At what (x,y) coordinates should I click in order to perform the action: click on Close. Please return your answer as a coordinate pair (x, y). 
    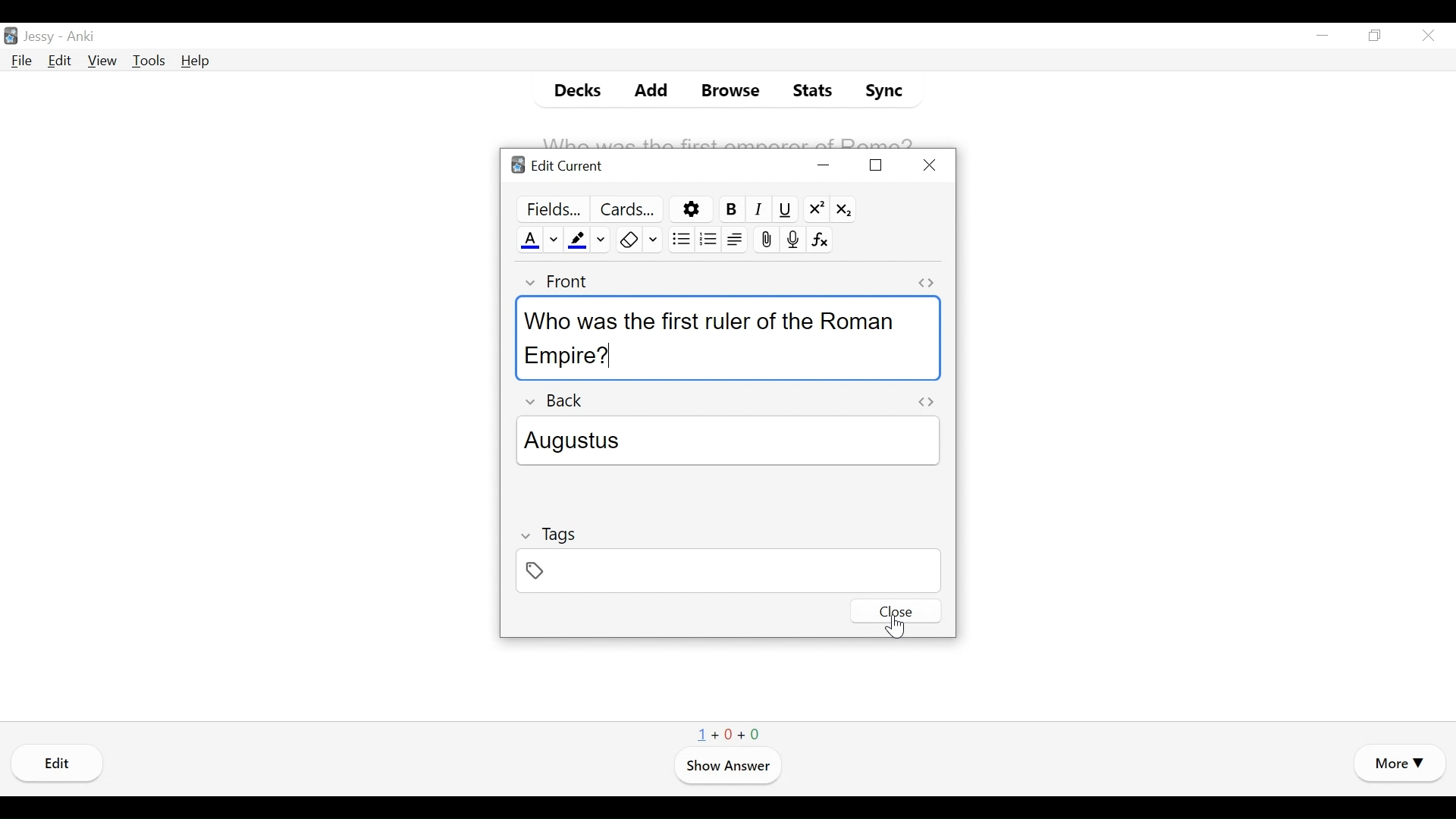
    Looking at the image, I should click on (1426, 35).